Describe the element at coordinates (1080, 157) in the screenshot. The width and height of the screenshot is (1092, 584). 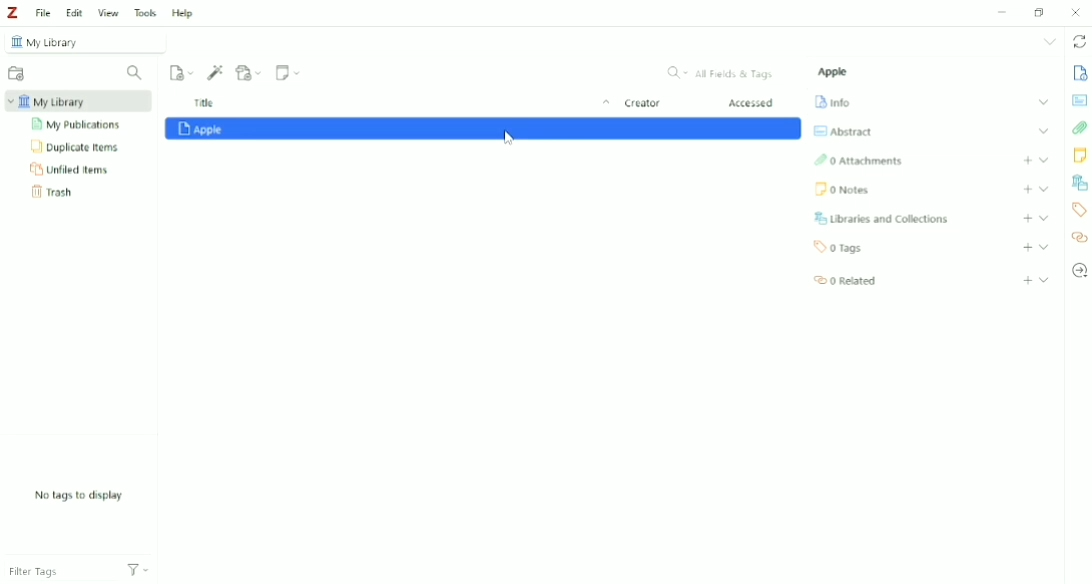
I see `Notes` at that location.